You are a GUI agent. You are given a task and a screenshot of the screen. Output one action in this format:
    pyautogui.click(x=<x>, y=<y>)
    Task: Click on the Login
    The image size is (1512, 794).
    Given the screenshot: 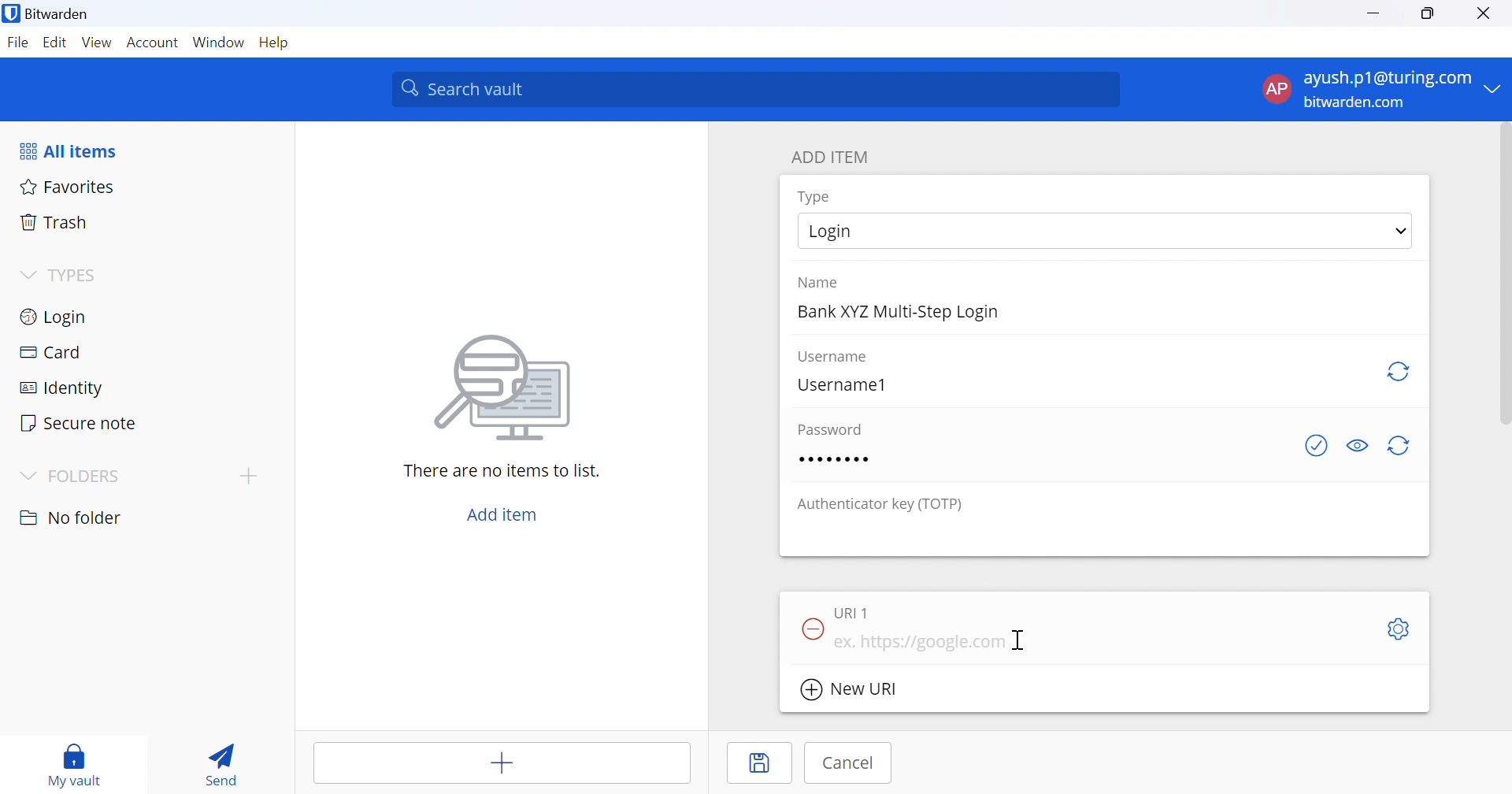 What is the action you would take?
    pyautogui.click(x=56, y=315)
    